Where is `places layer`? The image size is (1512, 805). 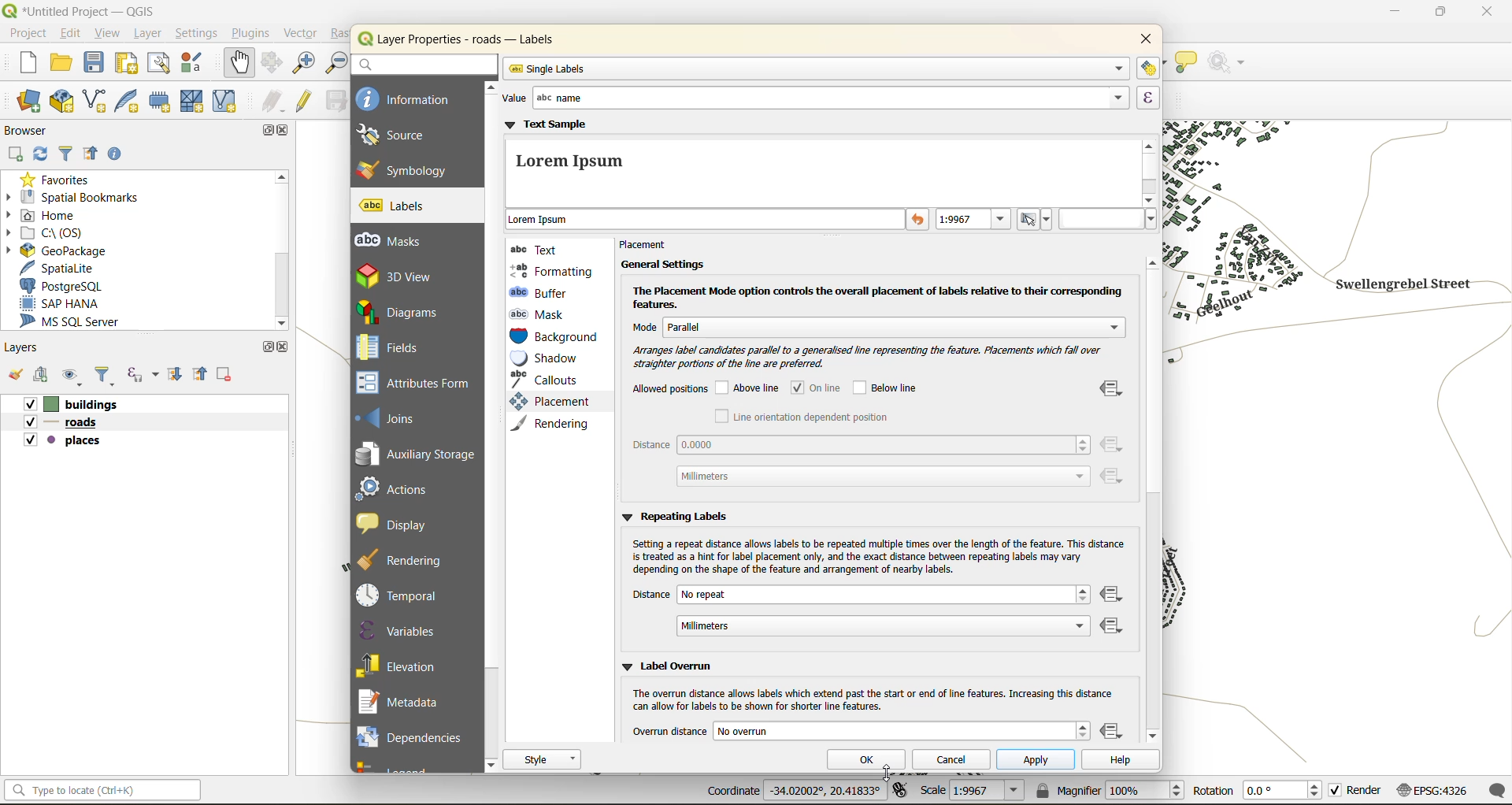
places layer is located at coordinates (63, 441).